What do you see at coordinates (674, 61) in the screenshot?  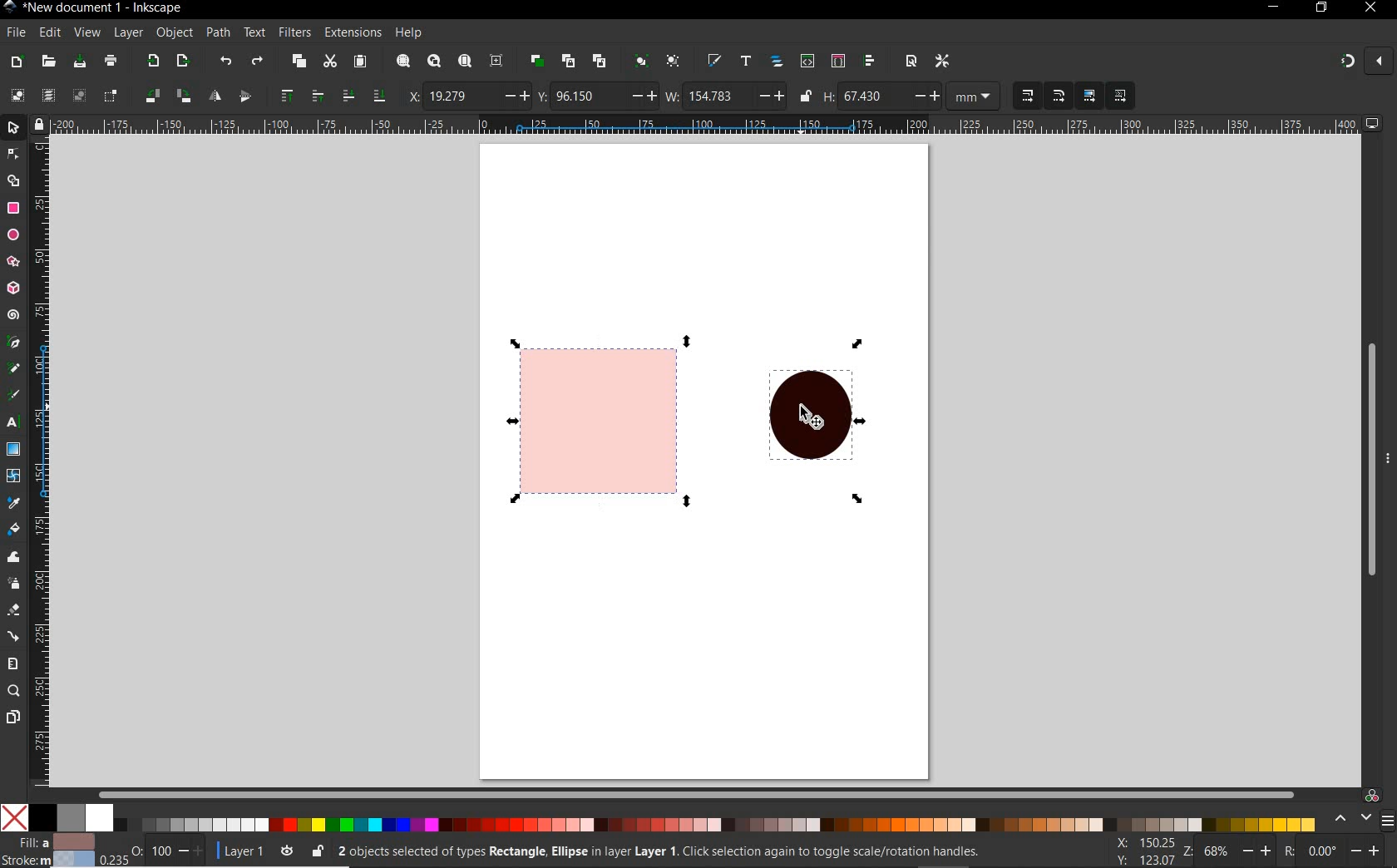 I see `ungroup` at bounding box center [674, 61].